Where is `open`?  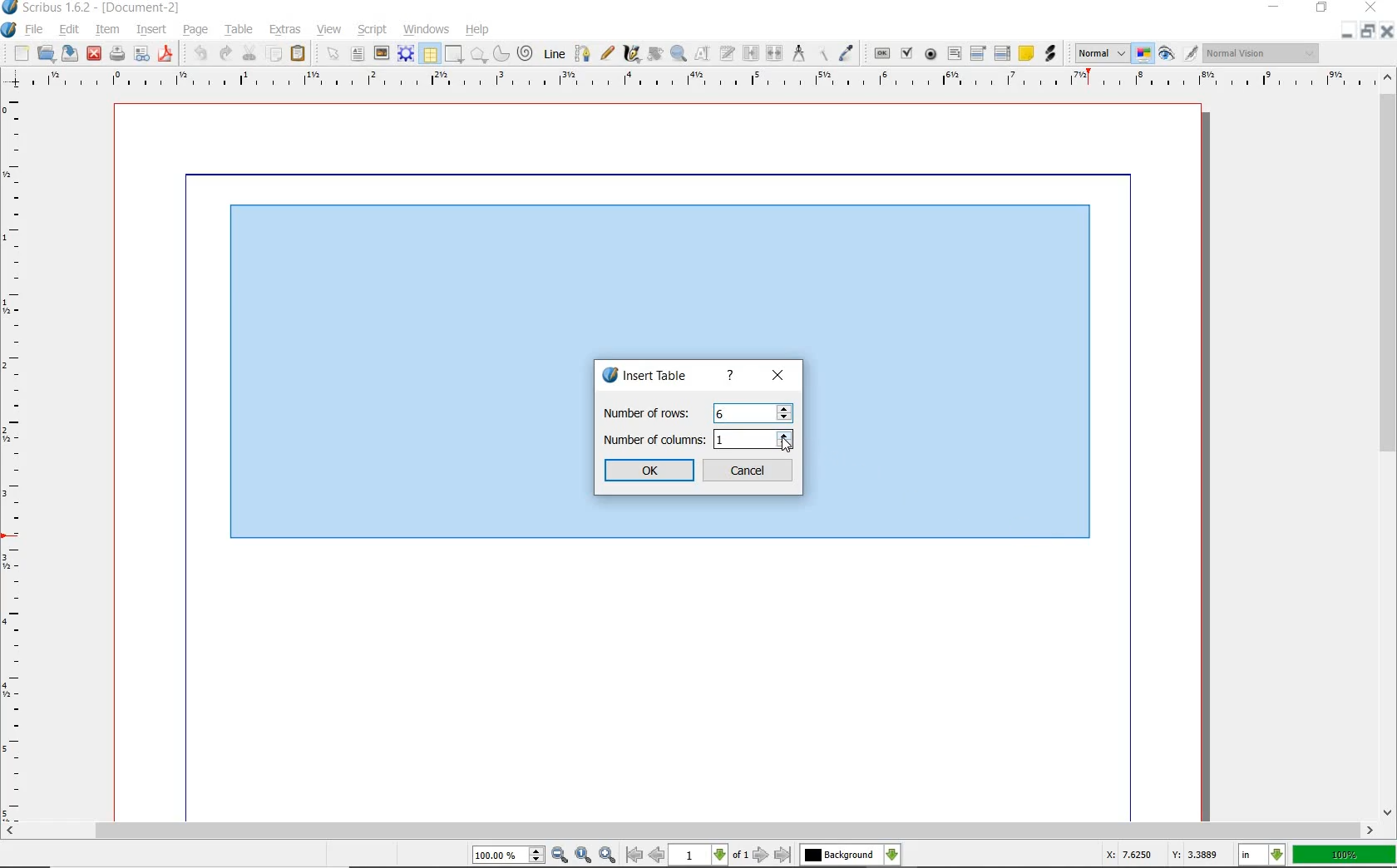 open is located at coordinates (46, 54).